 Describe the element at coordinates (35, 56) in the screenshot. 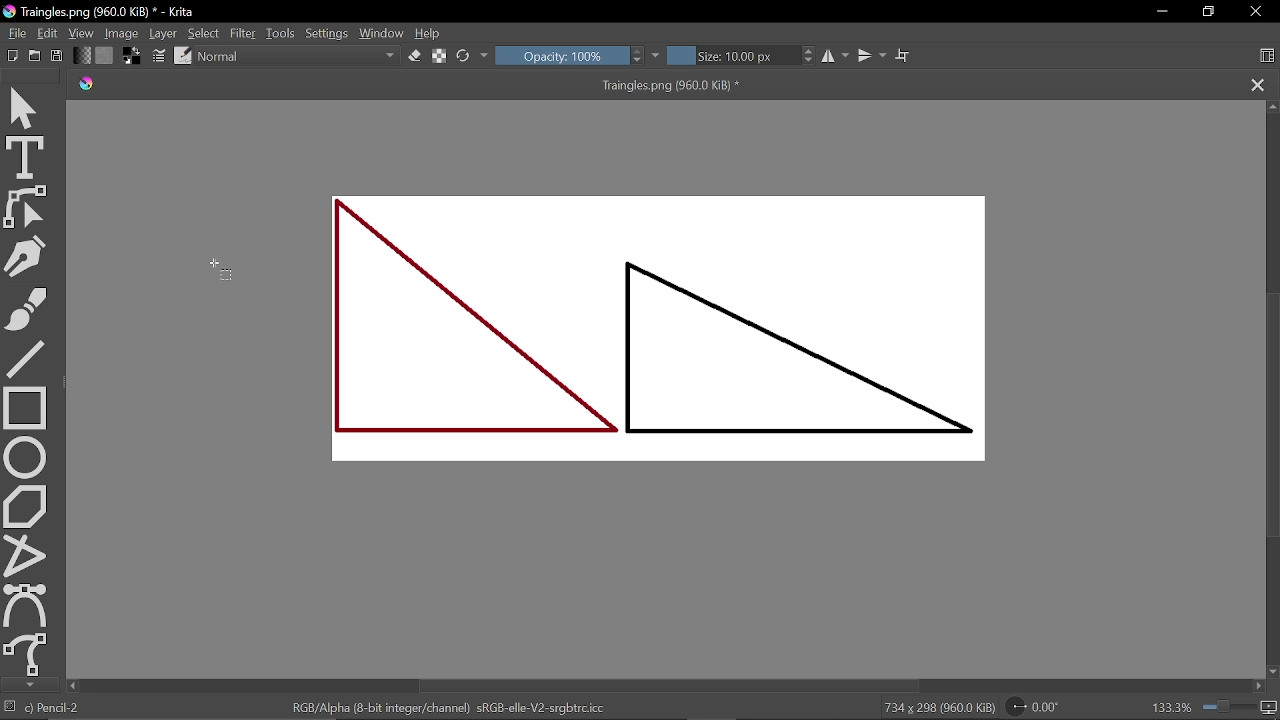

I see `Open new document` at that location.